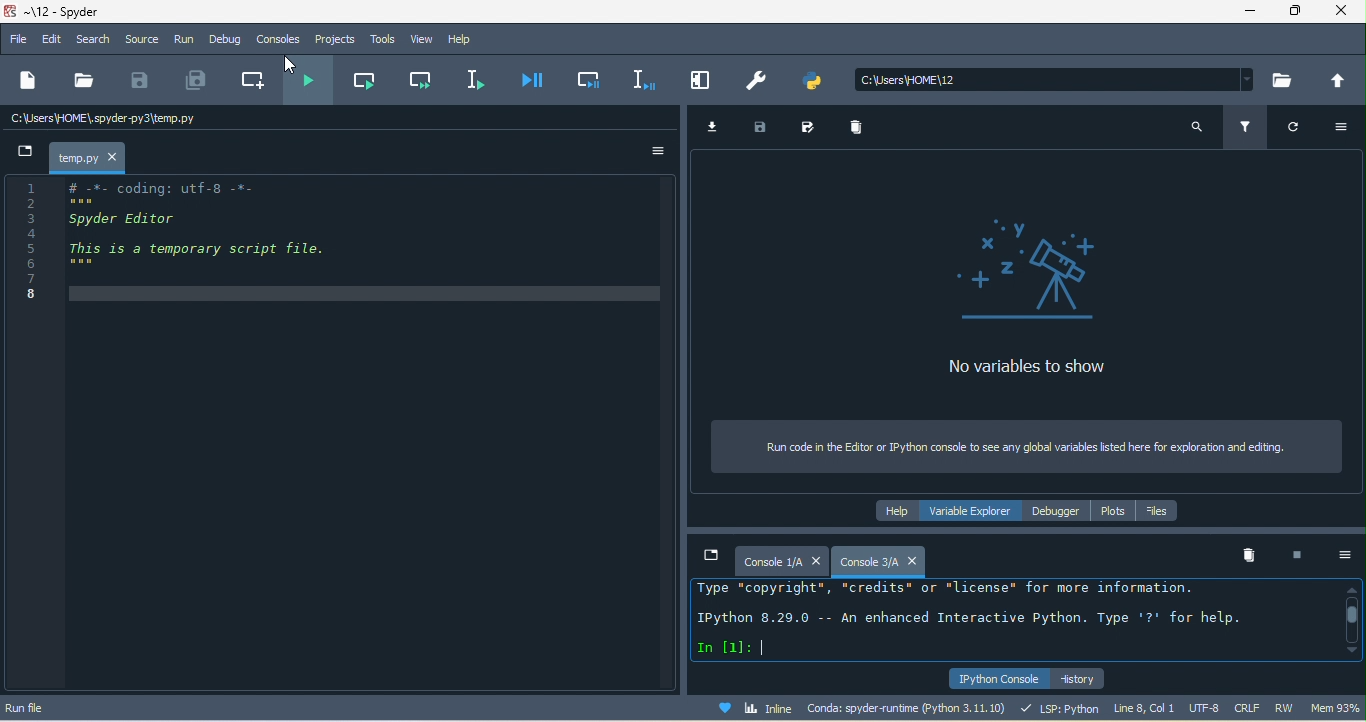 Image resolution: width=1366 pixels, height=722 pixels. I want to click on minimize, so click(1251, 12).